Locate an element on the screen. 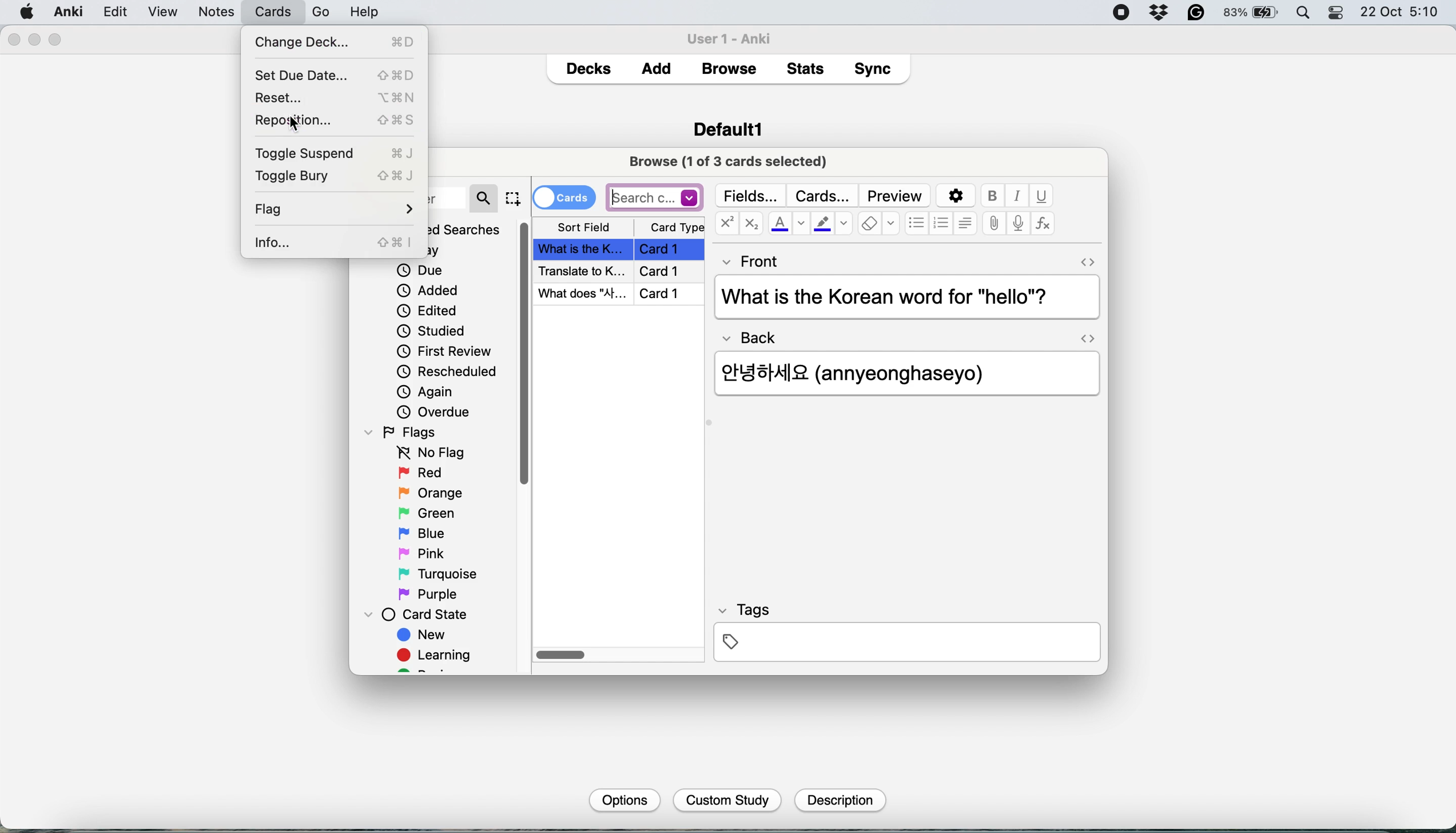 This screenshot has width=1456, height=833. tools is located at coordinates (253, 11).